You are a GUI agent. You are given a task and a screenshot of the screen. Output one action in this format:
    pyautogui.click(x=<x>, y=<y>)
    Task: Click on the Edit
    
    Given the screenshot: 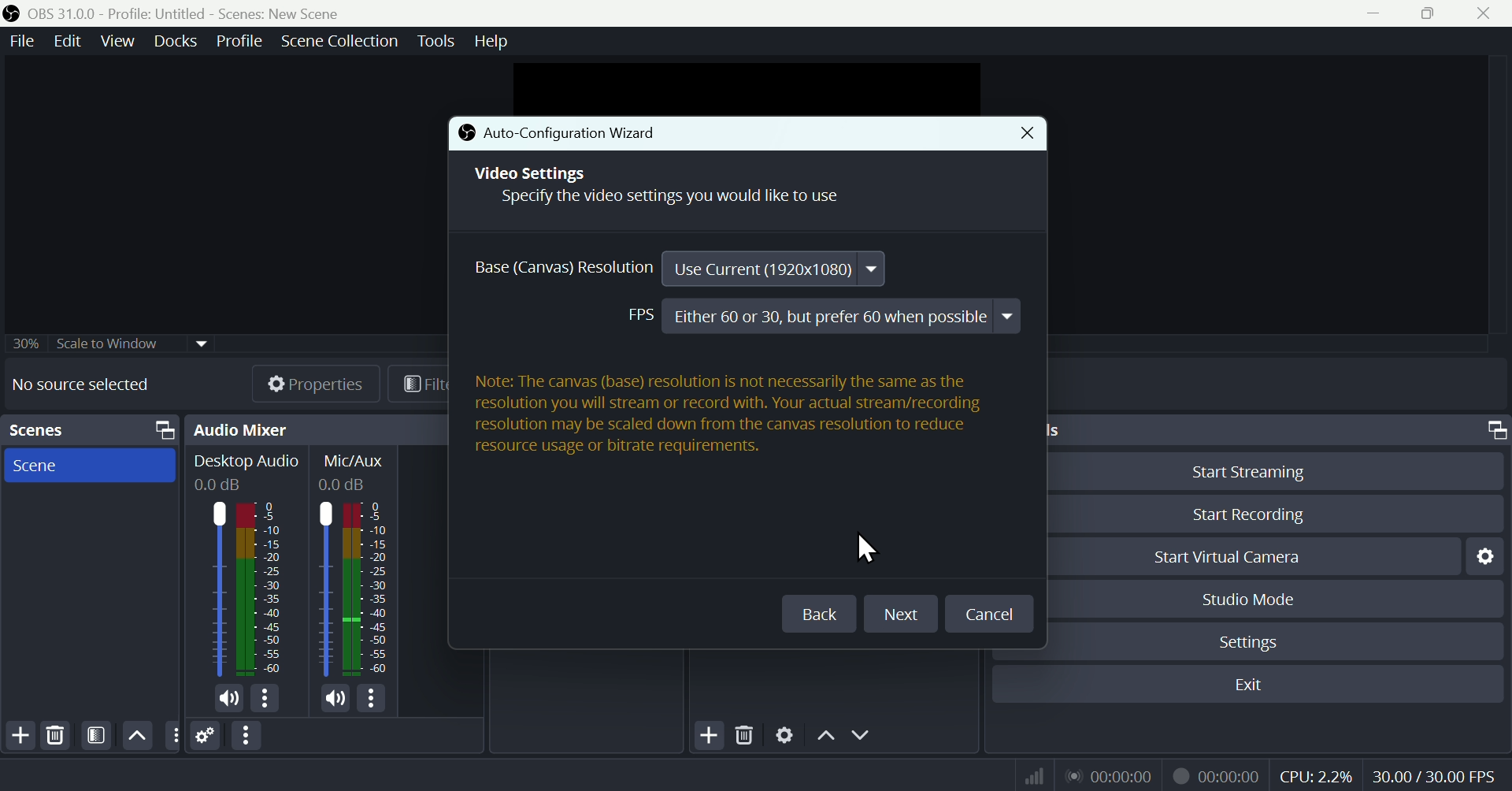 What is the action you would take?
    pyautogui.click(x=69, y=42)
    